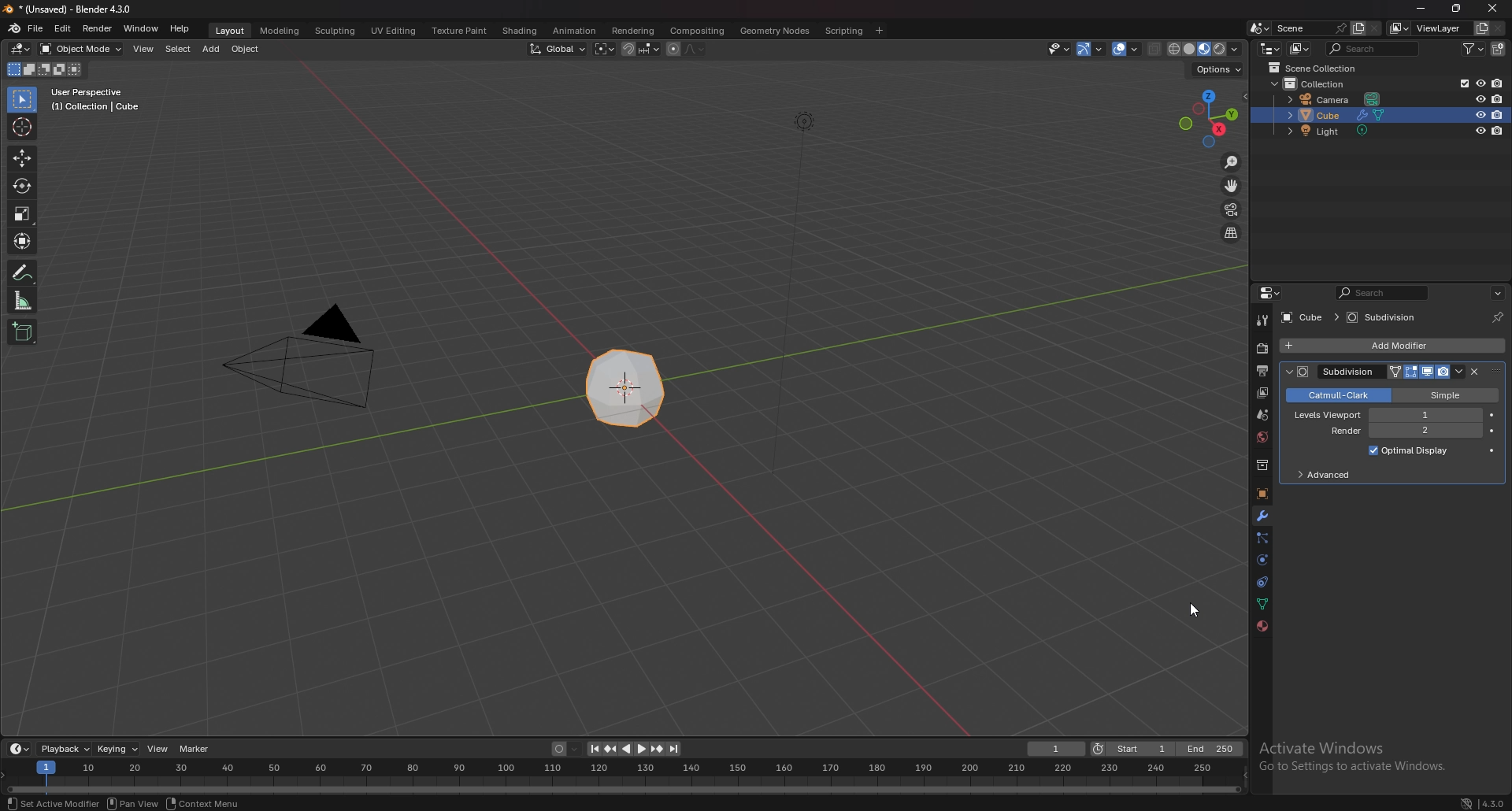 This screenshot has width=1512, height=811. Describe the element at coordinates (1325, 85) in the screenshot. I see `collection` at that location.